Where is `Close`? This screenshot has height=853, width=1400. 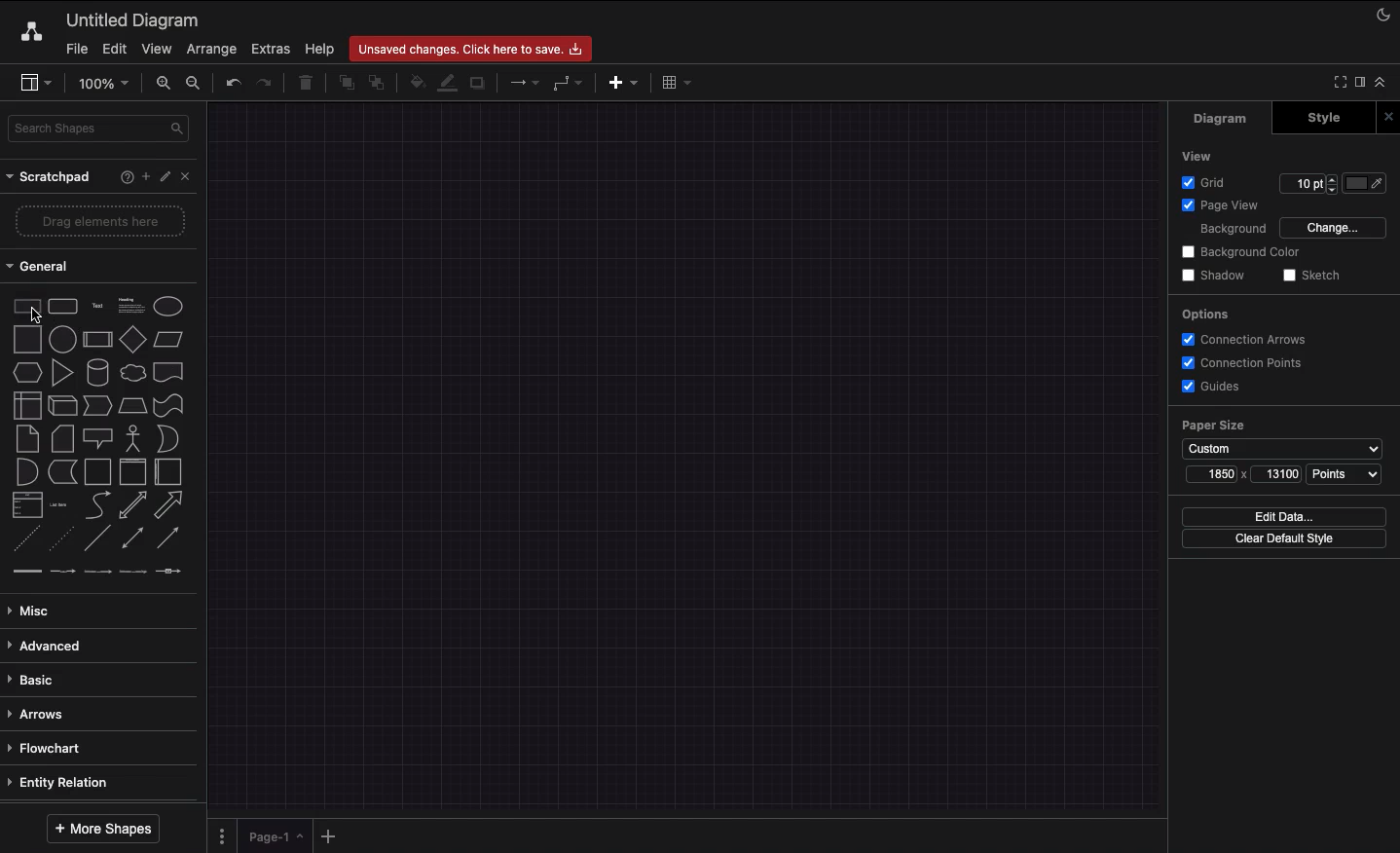
Close is located at coordinates (184, 175).